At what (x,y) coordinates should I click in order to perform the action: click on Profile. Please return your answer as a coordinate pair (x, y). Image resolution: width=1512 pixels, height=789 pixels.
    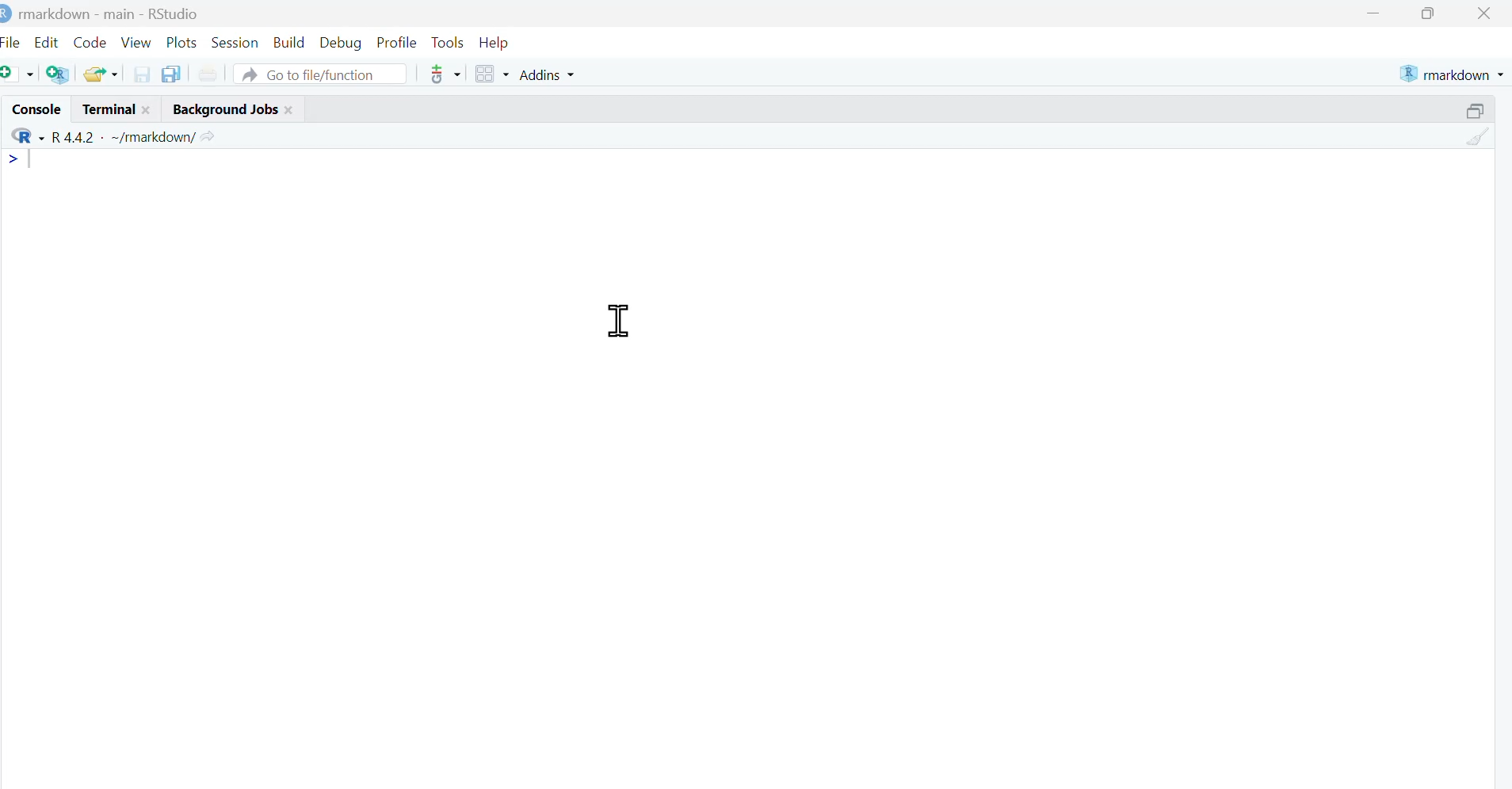
    Looking at the image, I should click on (396, 40).